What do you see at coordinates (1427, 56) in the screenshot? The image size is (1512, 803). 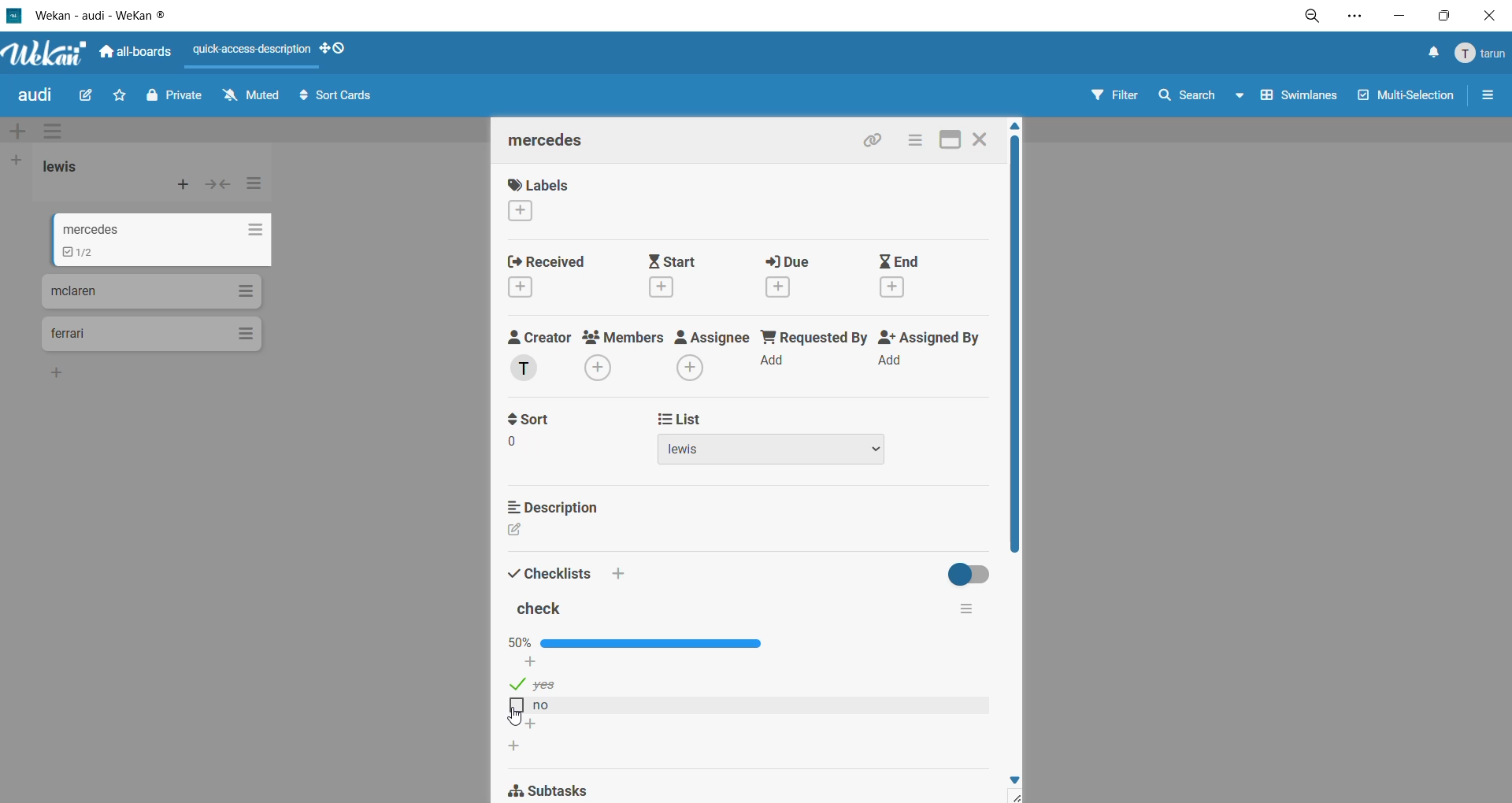 I see `notifications` at bounding box center [1427, 56].